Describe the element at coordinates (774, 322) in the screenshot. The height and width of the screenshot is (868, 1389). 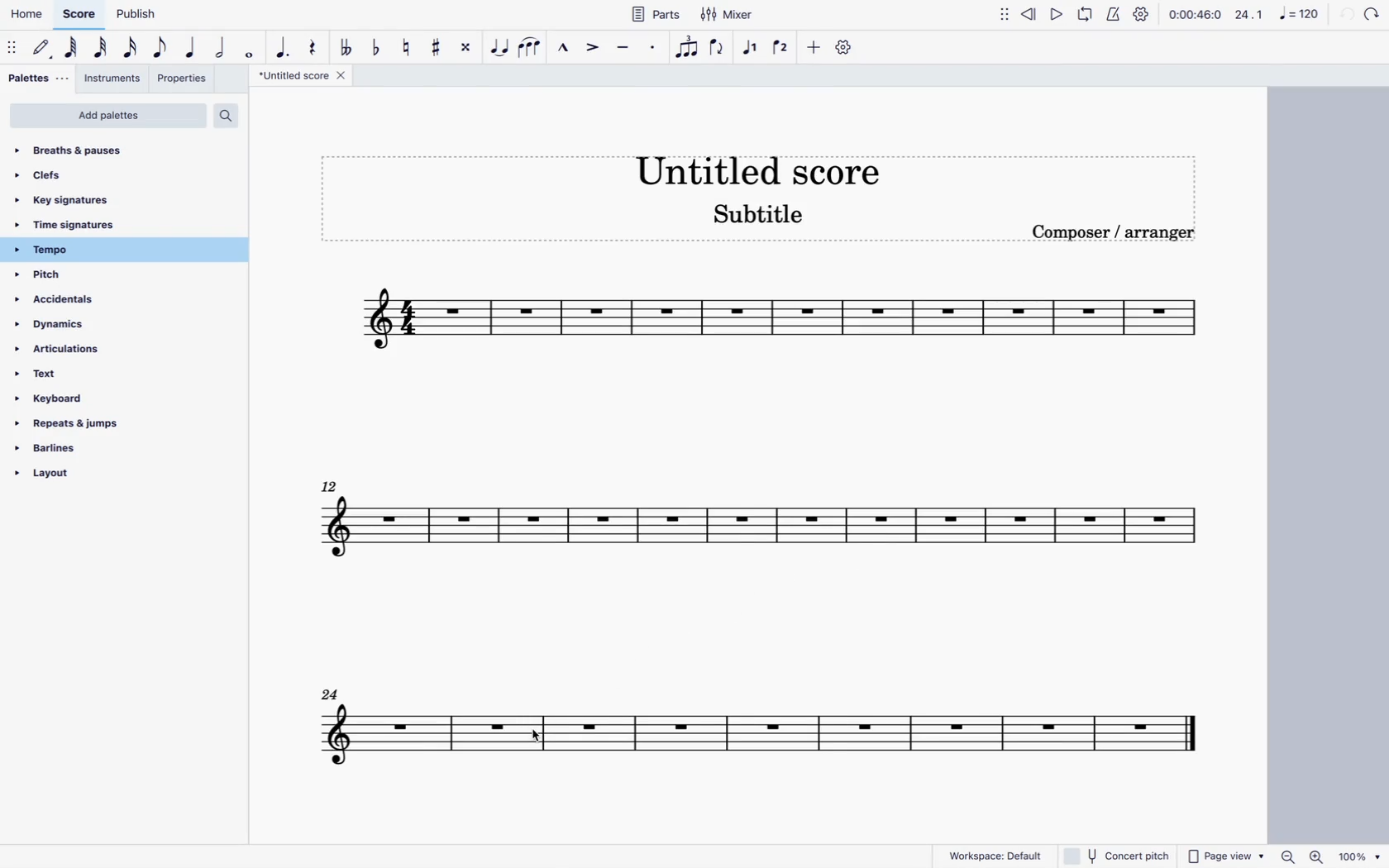
I see `score` at that location.